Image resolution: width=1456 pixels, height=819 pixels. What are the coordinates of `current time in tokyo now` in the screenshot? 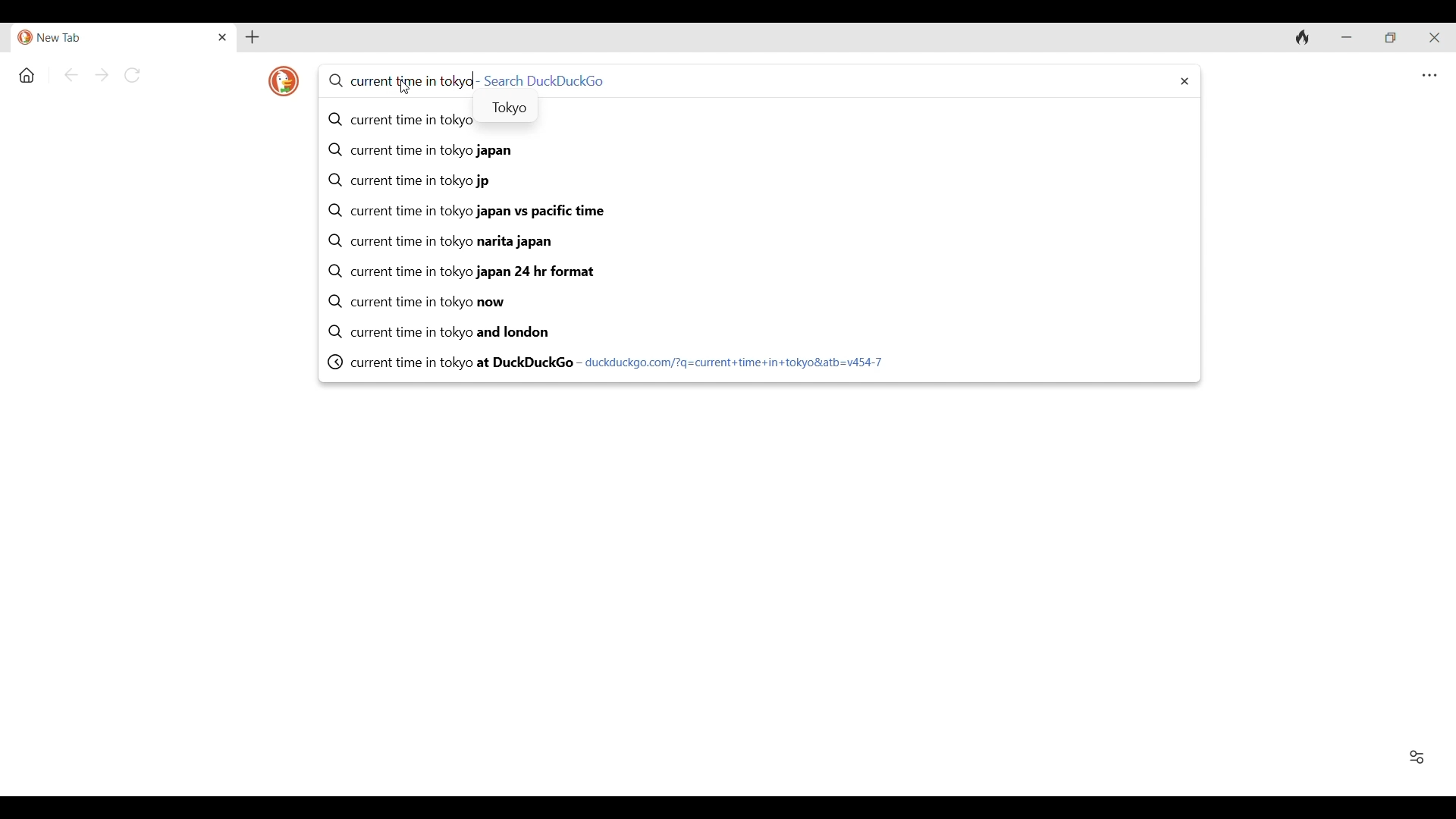 It's located at (414, 301).